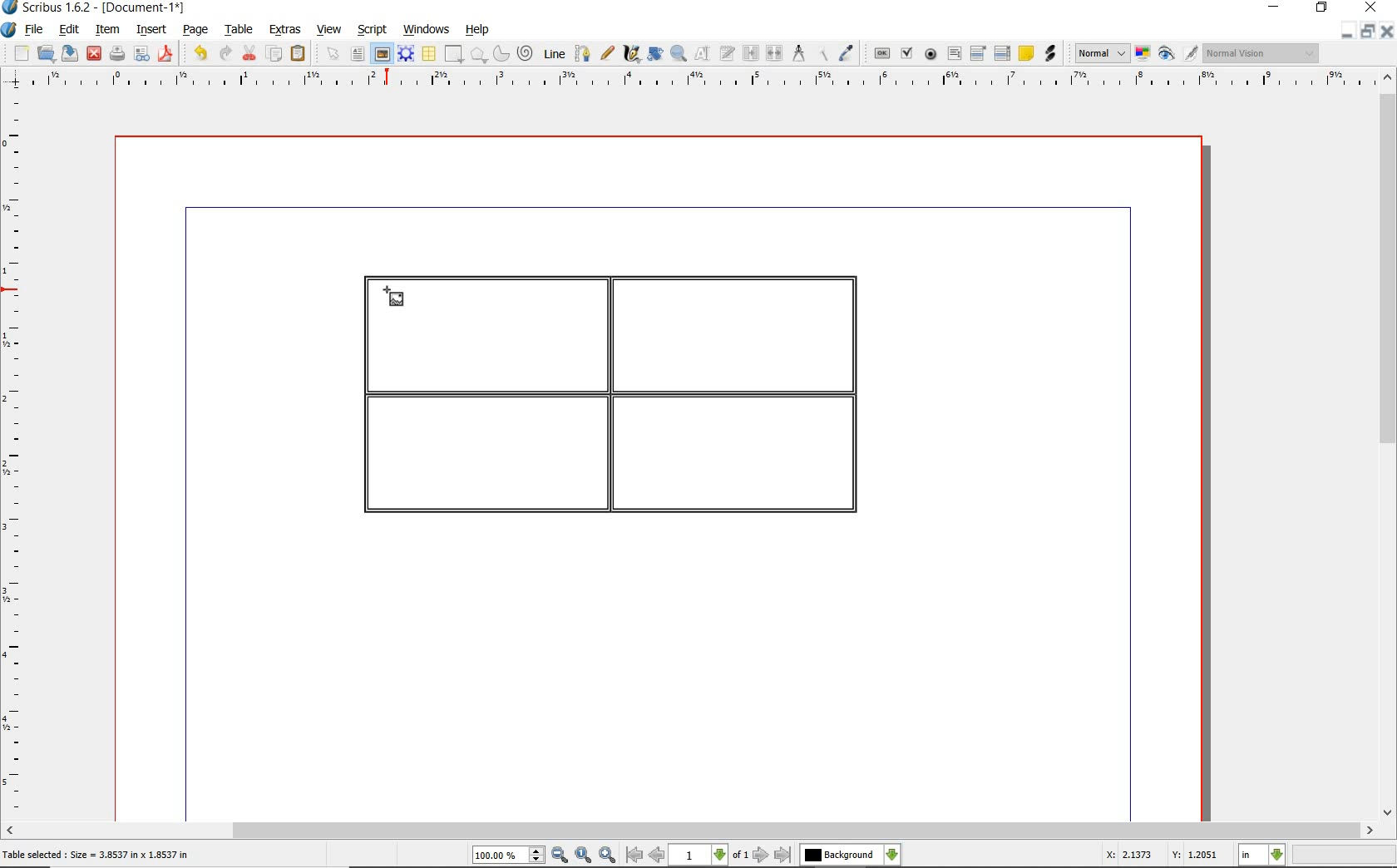 This screenshot has width=1397, height=868. Describe the element at coordinates (1161, 856) in the screenshot. I see `X: 2.1373 Y: 1.2051` at that location.